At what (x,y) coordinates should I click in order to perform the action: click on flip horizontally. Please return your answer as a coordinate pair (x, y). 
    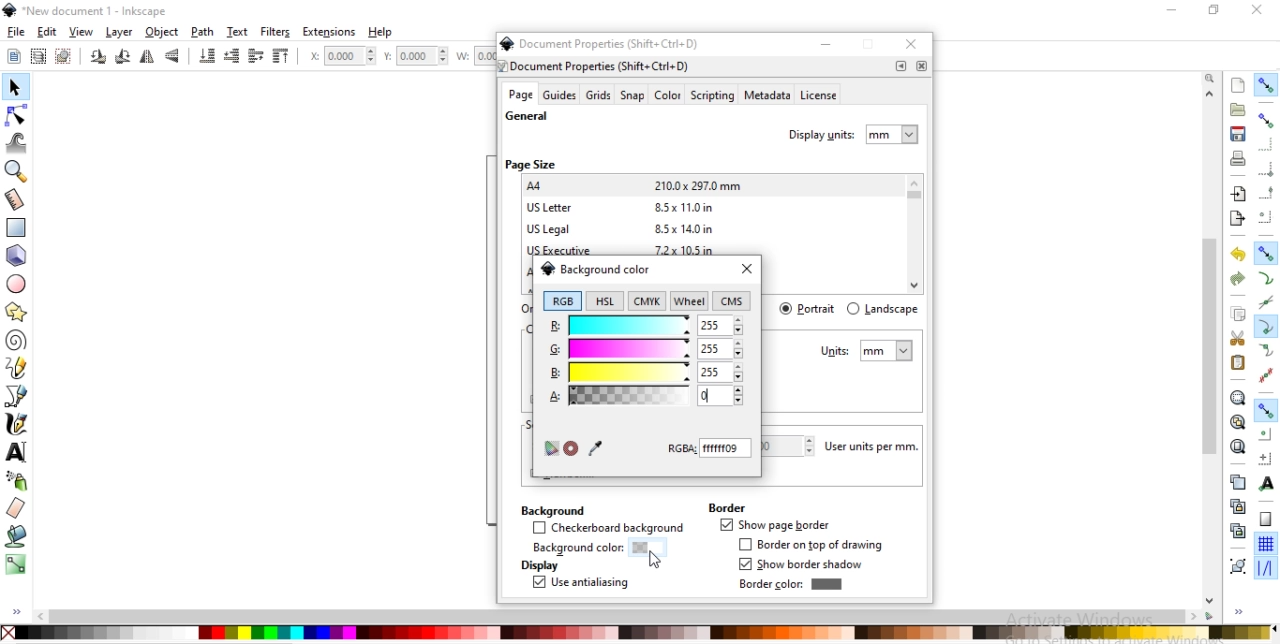
    Looking at the image, I should click on (150, 57).